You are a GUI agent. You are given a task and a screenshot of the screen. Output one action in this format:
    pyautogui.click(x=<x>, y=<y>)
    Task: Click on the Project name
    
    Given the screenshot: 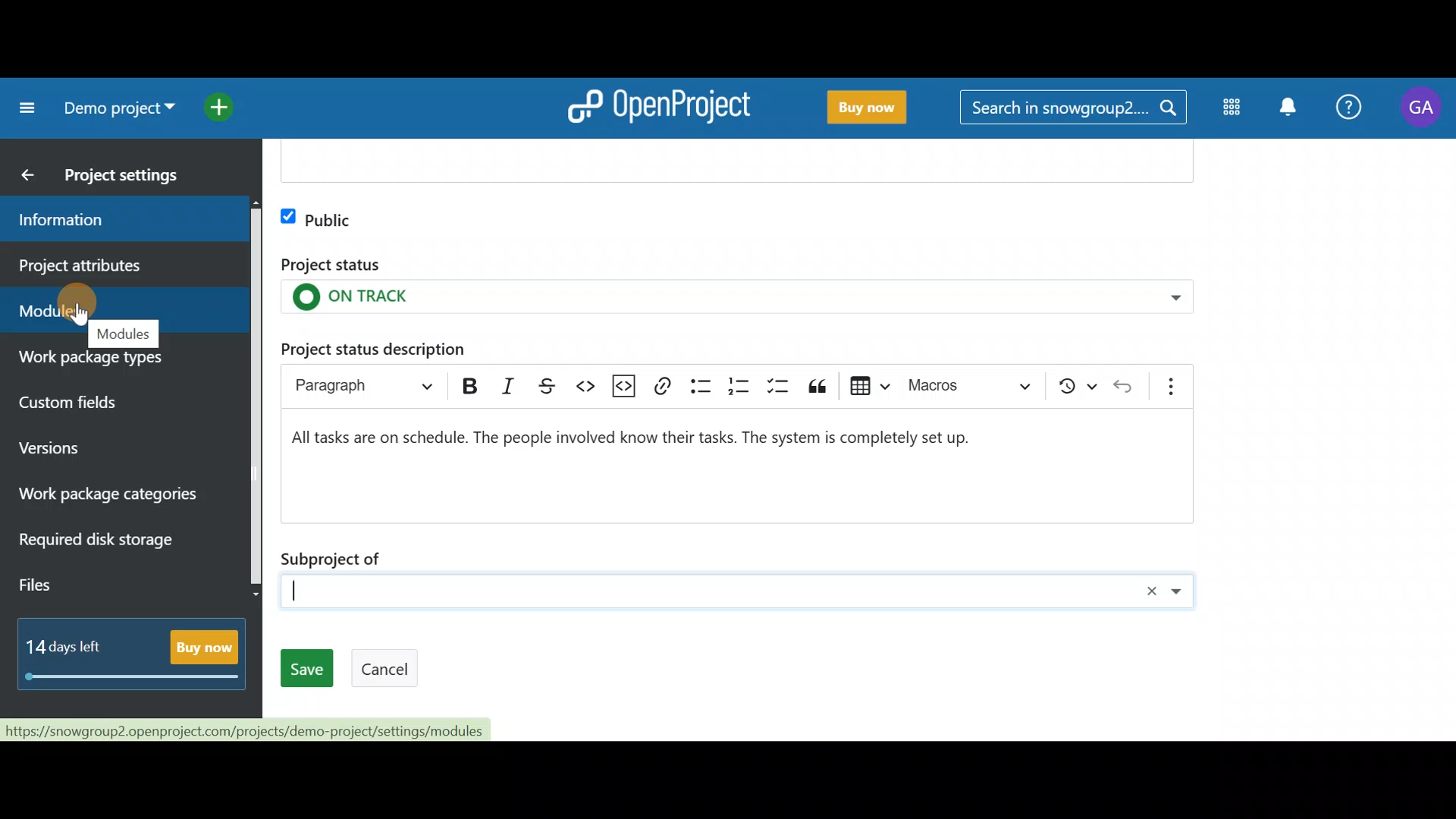 What is the action you would take?
    pyautogui.click(x=115, y=108)
    